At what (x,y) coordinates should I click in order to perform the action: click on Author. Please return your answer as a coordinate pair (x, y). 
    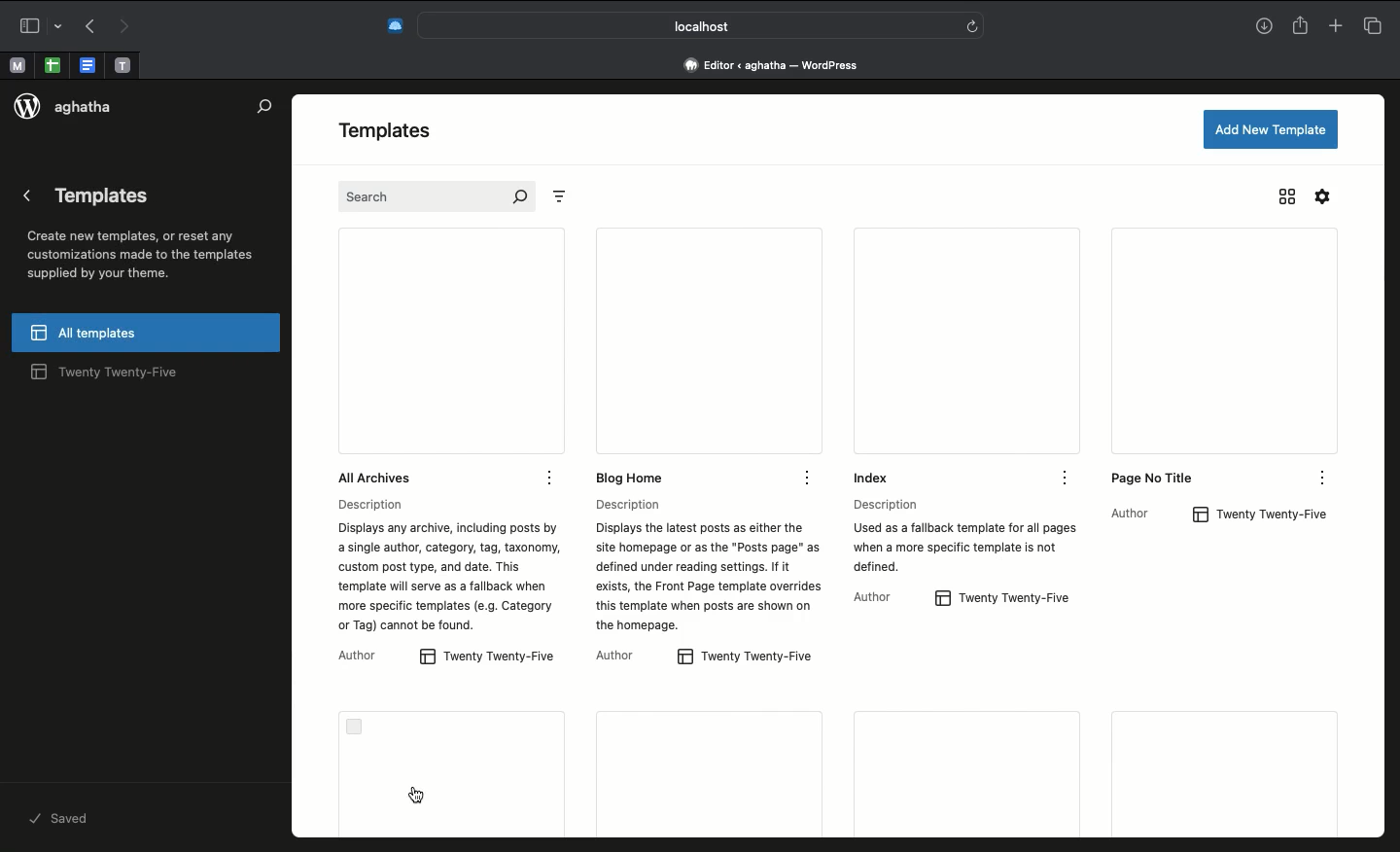
    Looking at the image, I should click on (1134, 513).